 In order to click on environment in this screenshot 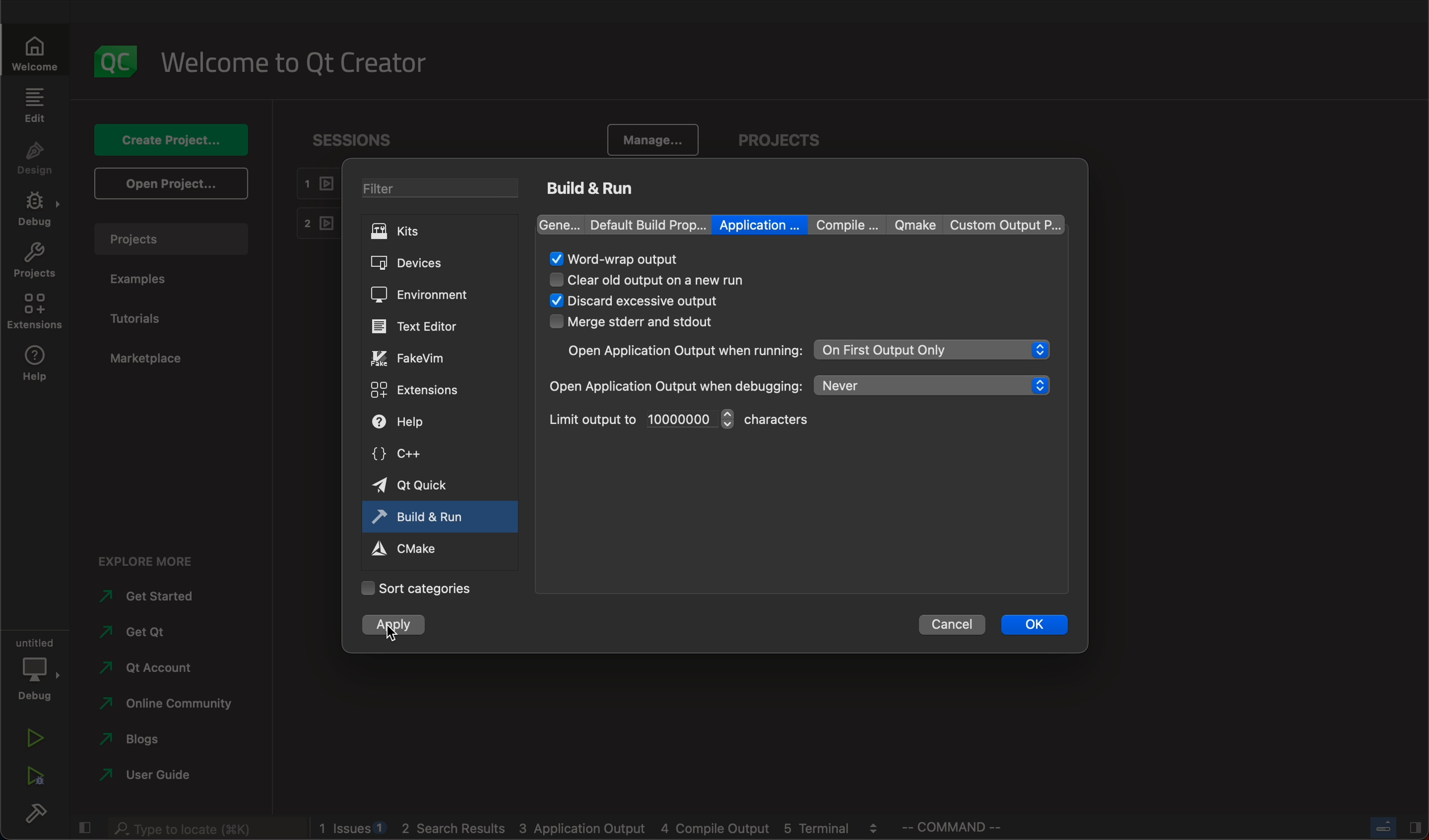, I will do `click(430, 294)`.